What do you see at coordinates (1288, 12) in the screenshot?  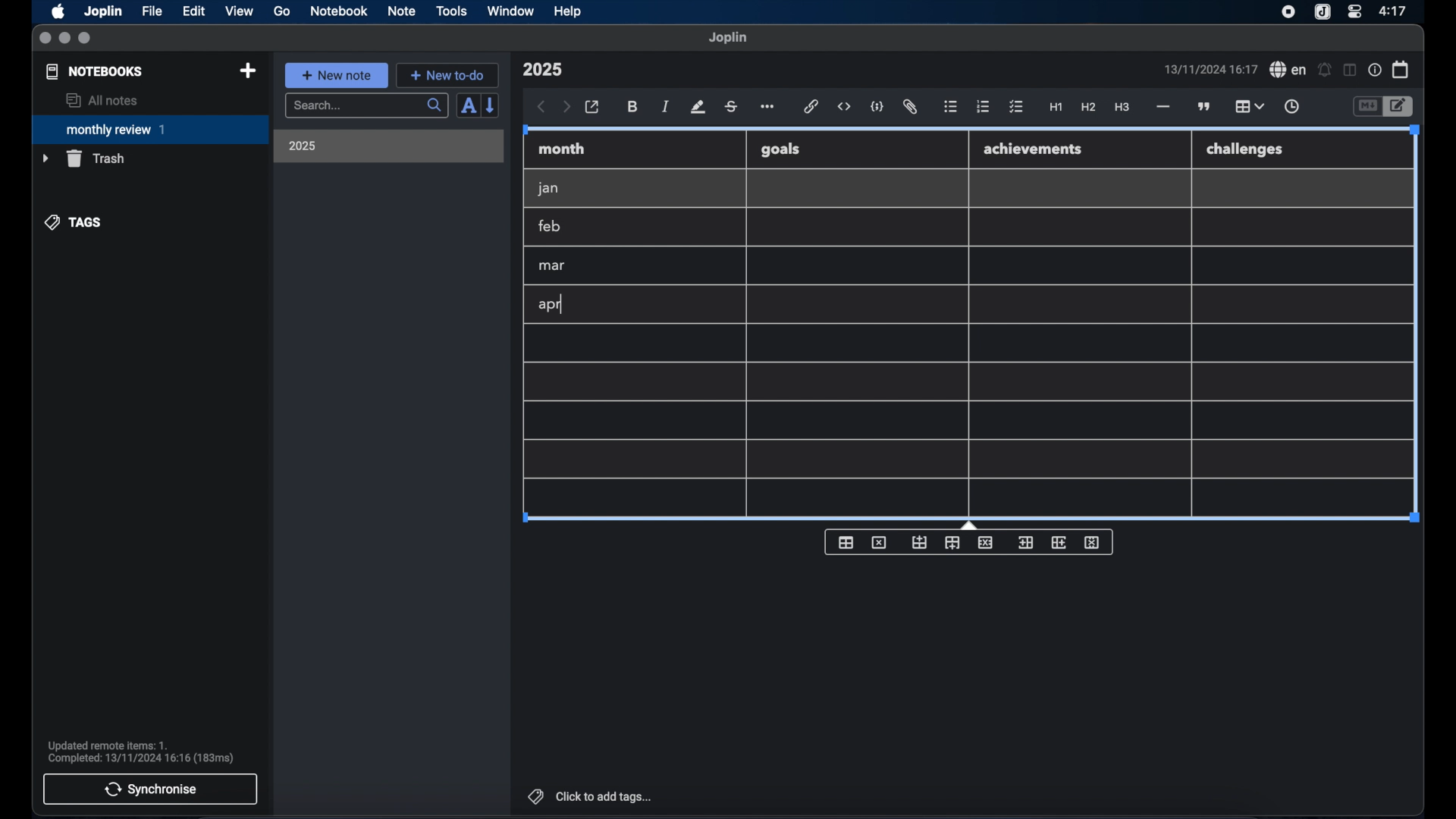 I see `screen recorder icon` at bounding box center [1288, 12].